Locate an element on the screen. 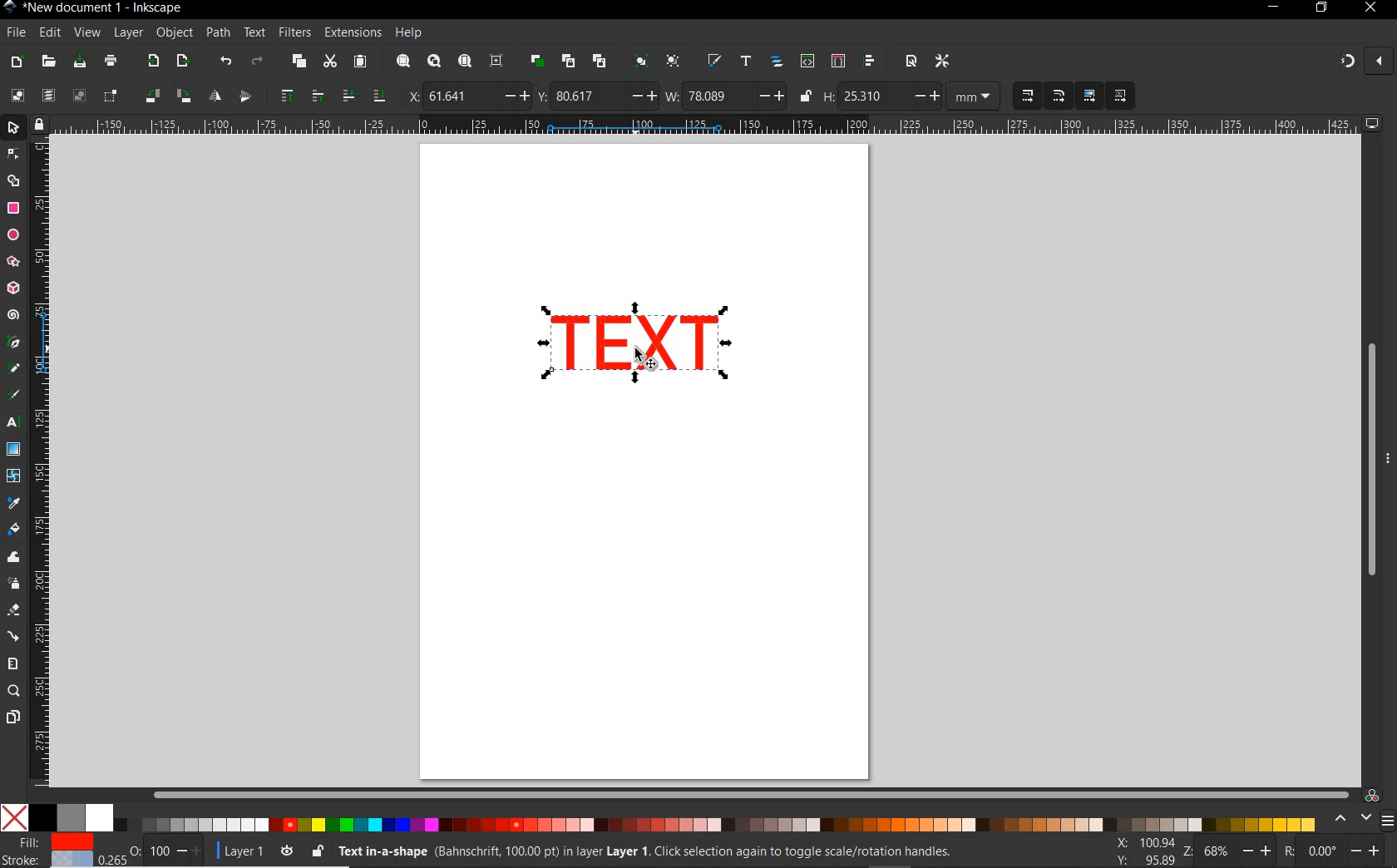 The image size is (1397, 868). layer is located at coordinates (129, 33).